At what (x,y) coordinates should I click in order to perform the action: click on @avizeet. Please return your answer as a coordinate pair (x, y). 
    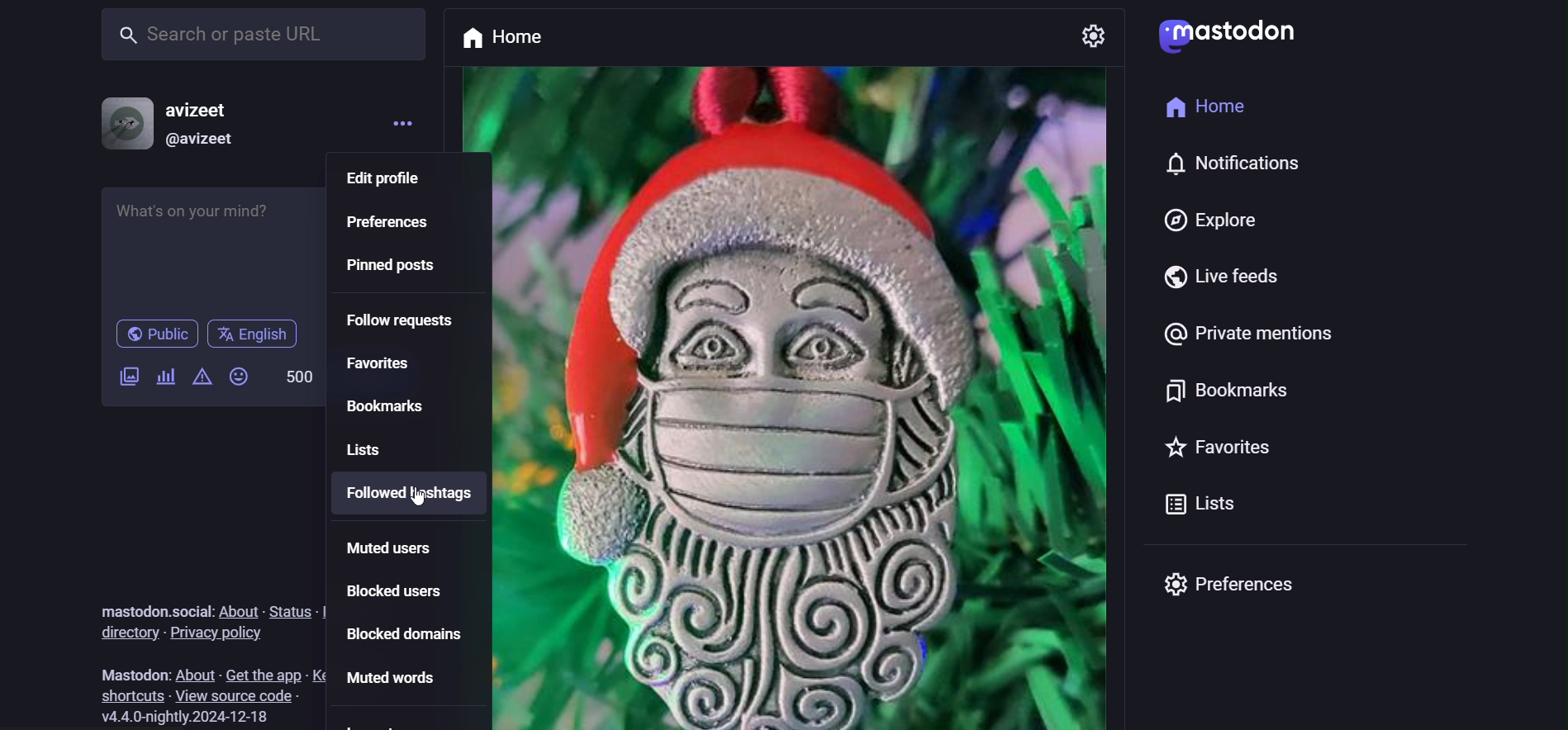
    Looking at the image, I should click on (207, 142).